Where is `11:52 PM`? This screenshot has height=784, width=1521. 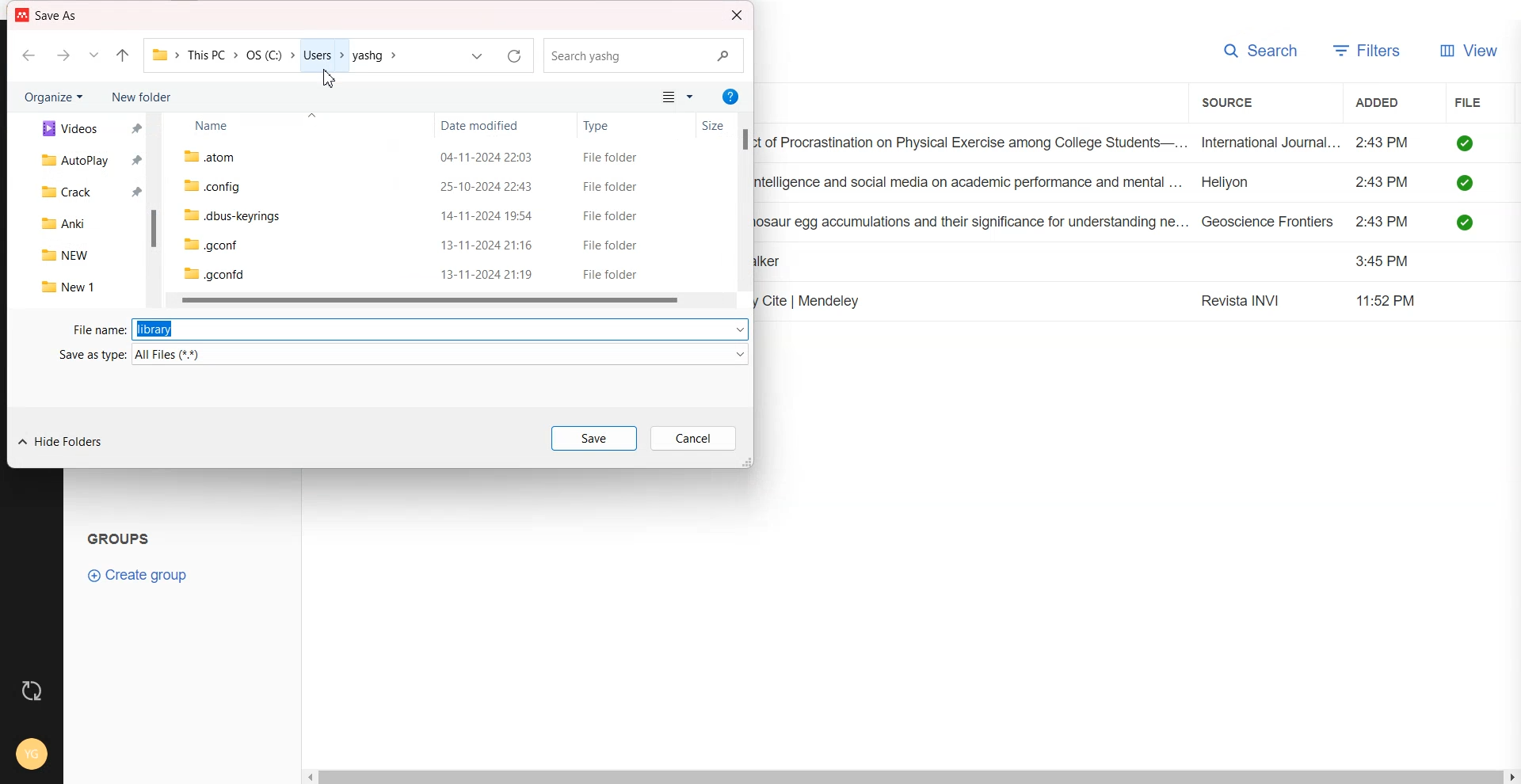
11:52 PM is located at coordinates (1388, 300).